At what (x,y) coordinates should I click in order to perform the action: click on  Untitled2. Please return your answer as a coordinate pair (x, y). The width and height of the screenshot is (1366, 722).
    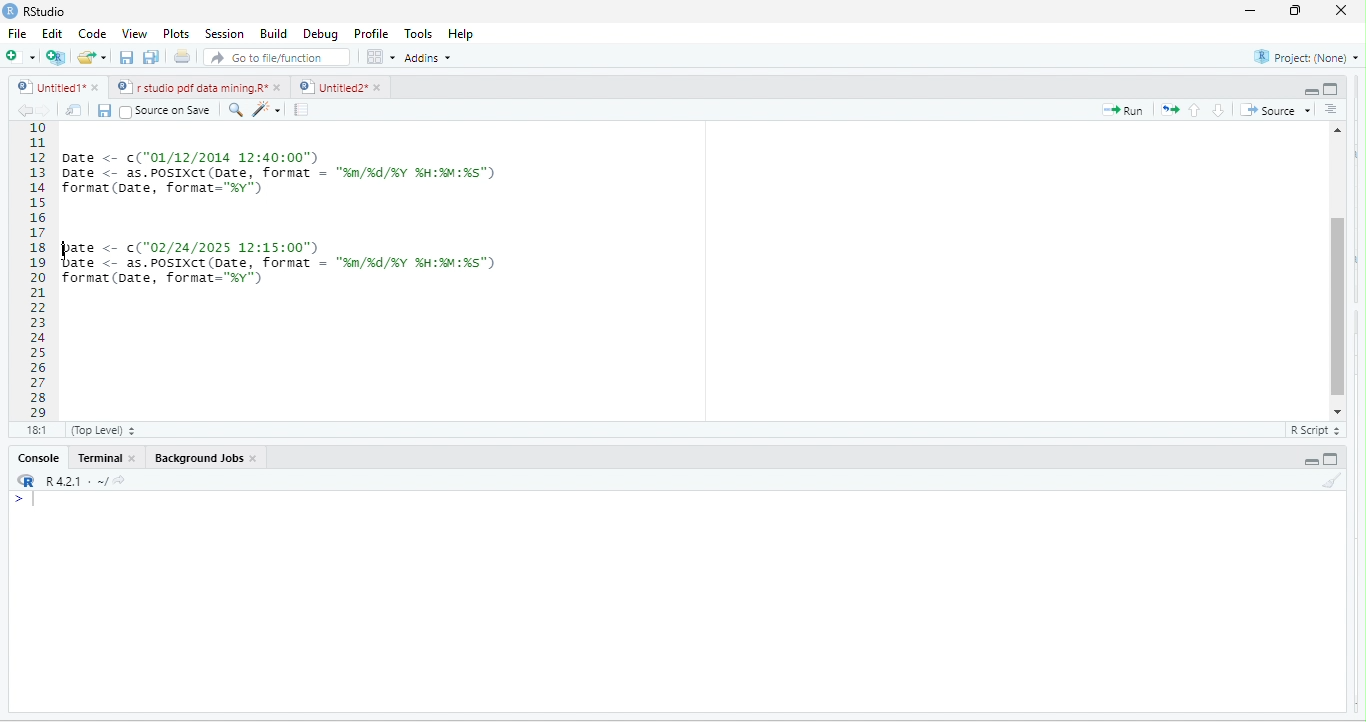
    Looking at the image, I should click on (332, 87).